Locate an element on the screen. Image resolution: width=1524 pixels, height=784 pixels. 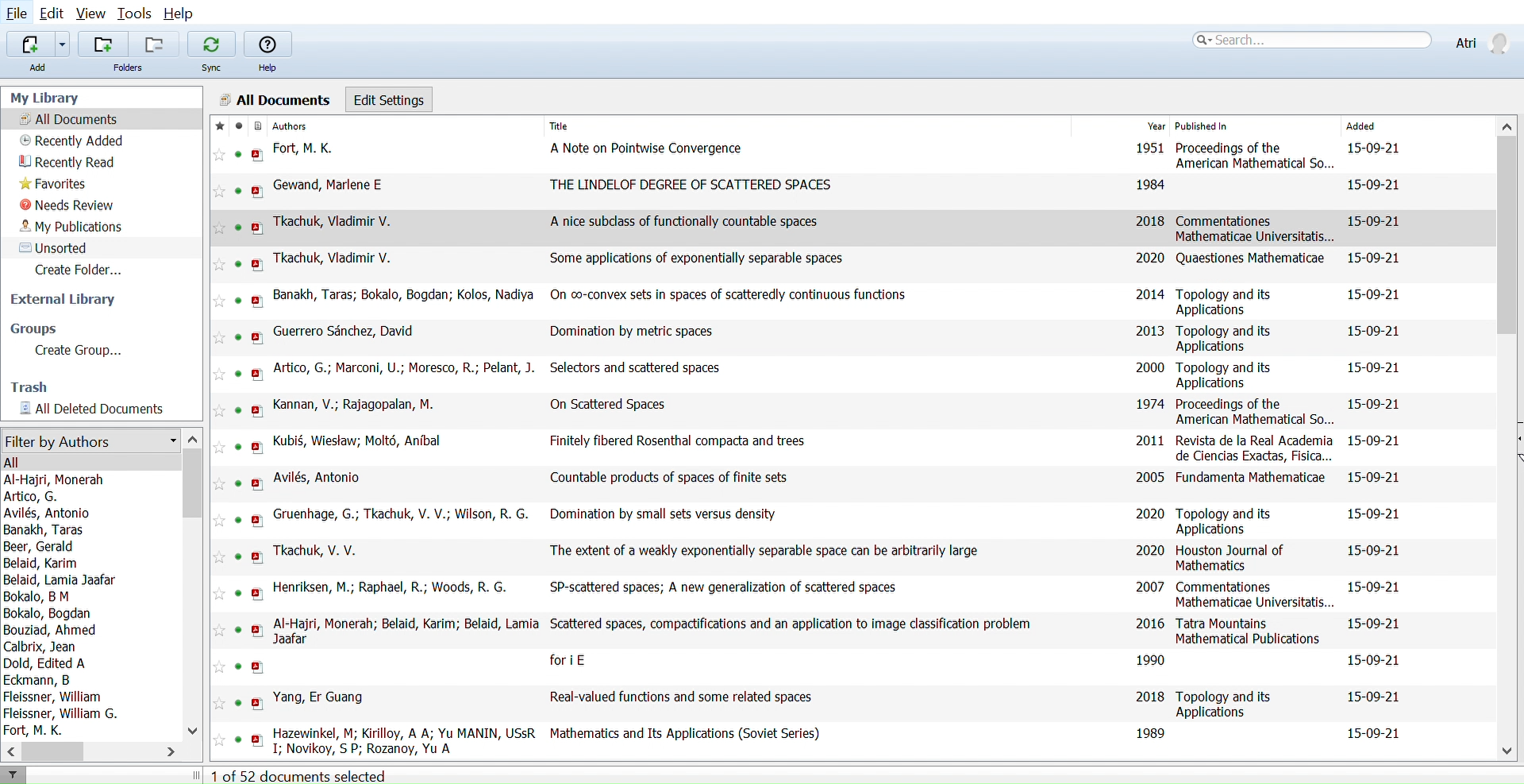
Fleissner, William G. is located at coordinates (63, 713).